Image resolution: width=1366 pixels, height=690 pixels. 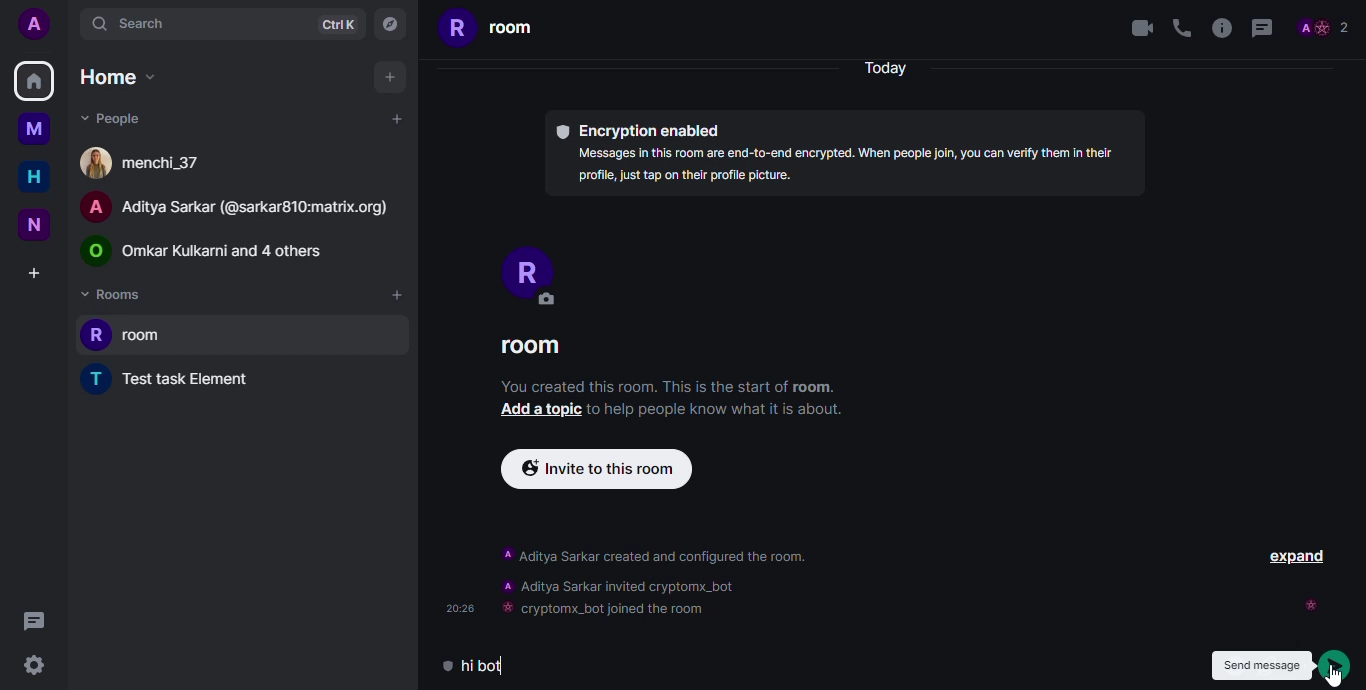 I want to click on threads, so click(x=33, y=621).